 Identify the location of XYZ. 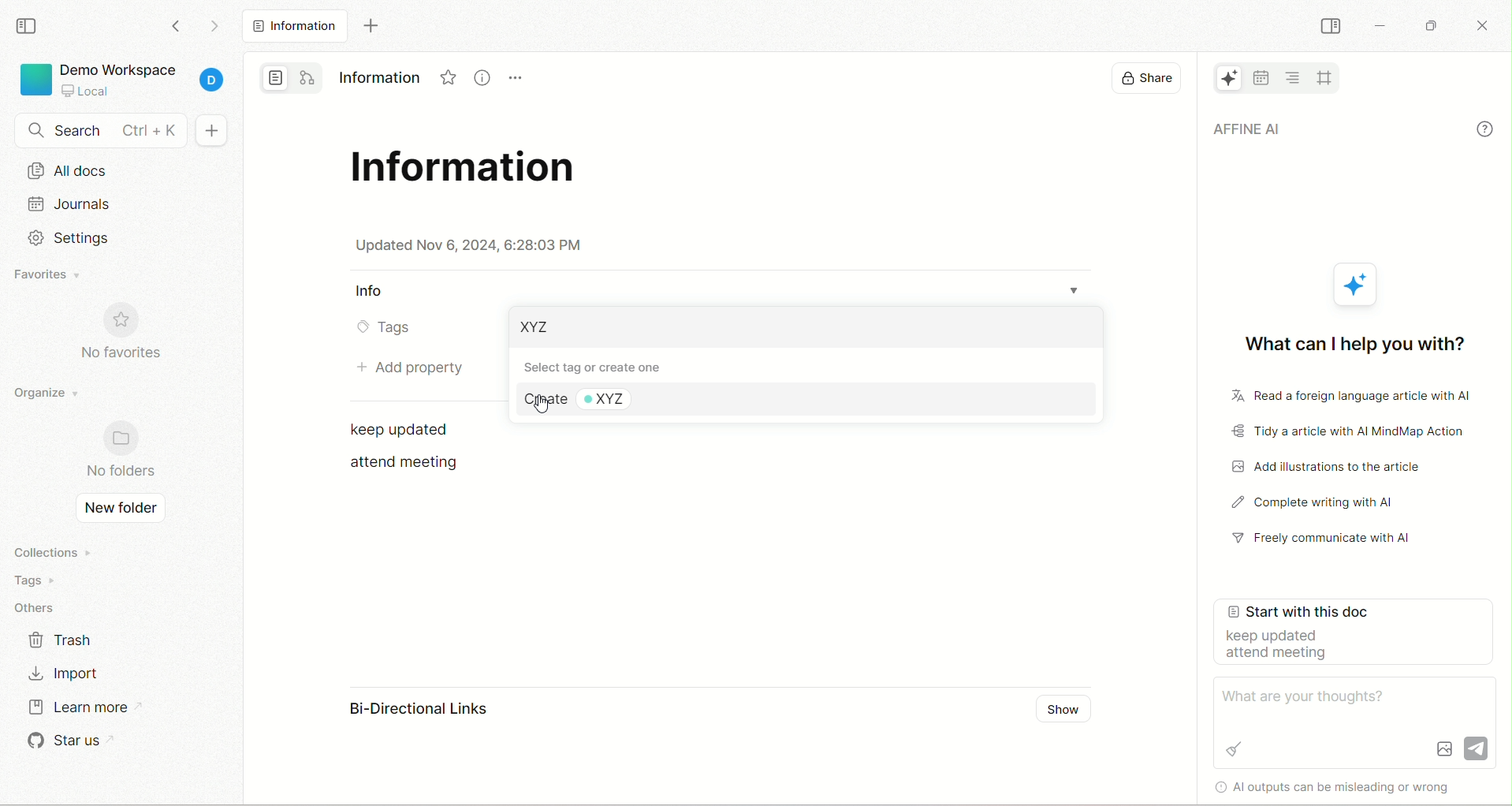
(538, 328).